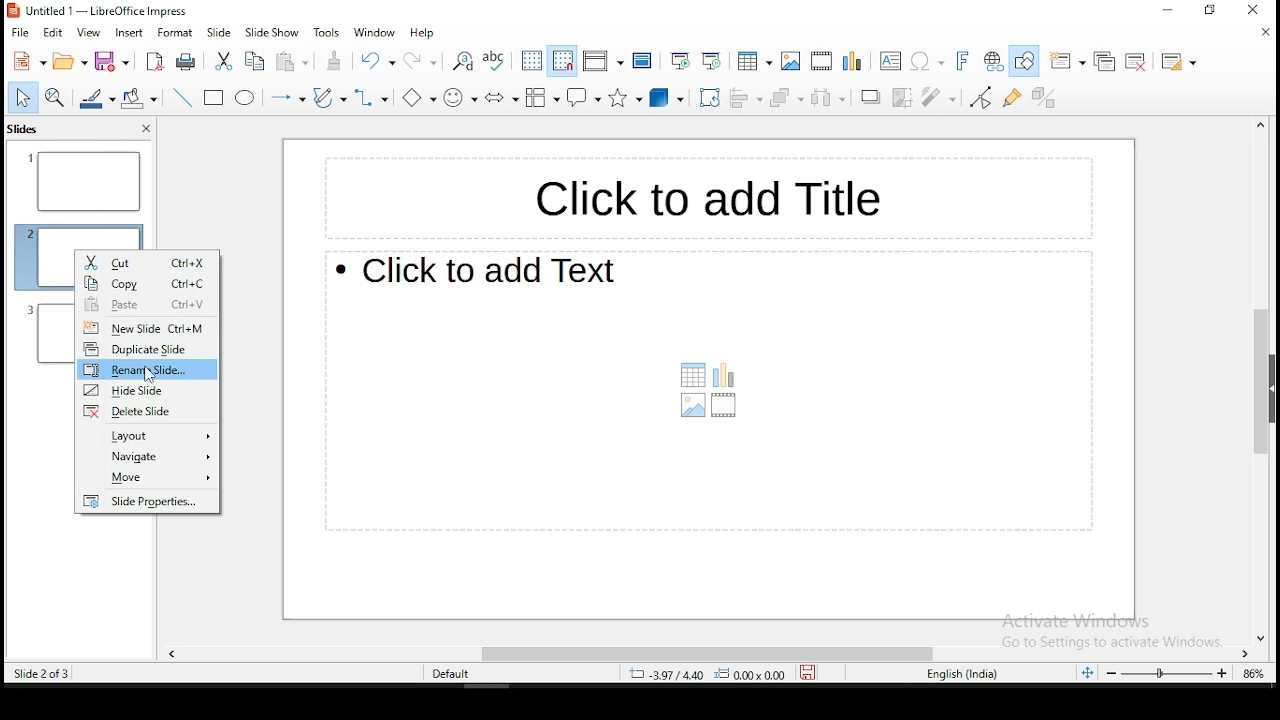 Image resolution: width=1280 pixels, height=720 pixels. I want to click on ellipse, so click(245, 100).